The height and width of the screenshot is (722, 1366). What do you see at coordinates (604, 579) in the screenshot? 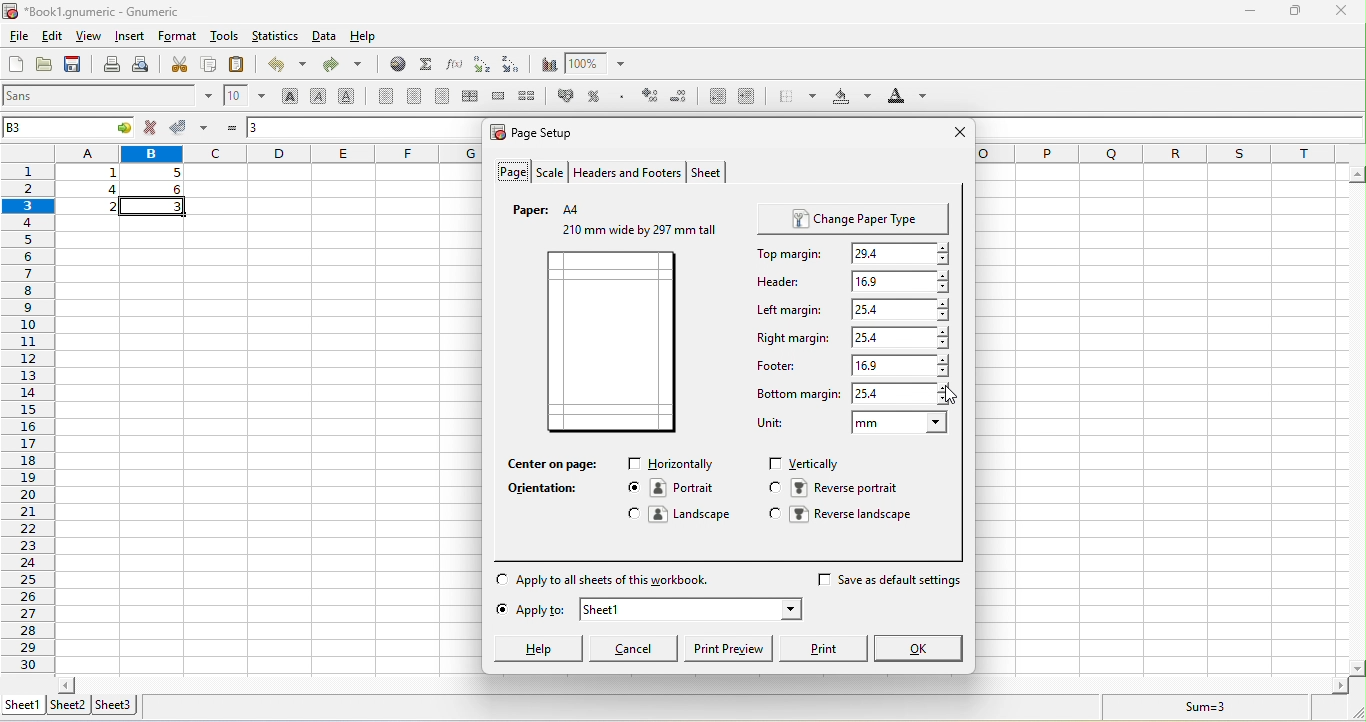
I see `apply to all sheets of this workbook` at bounding box center [604, 579].